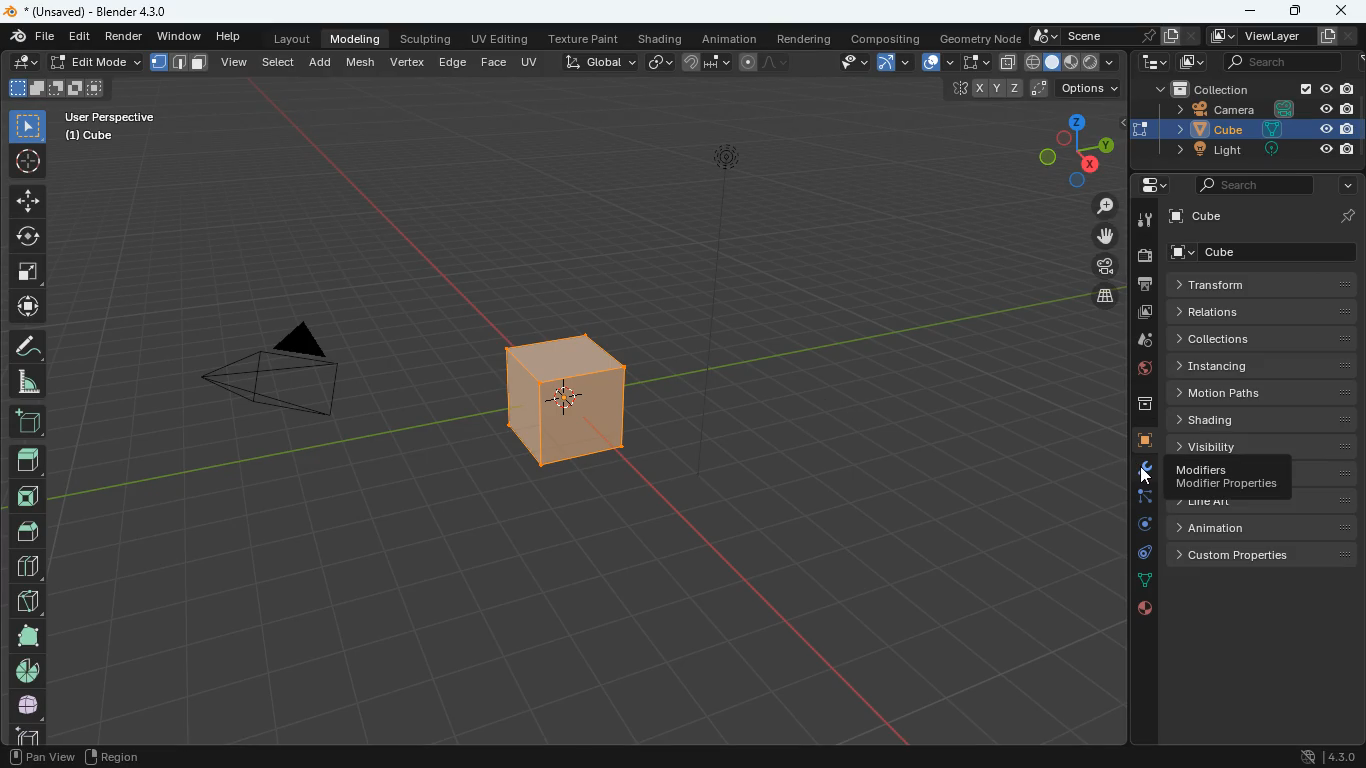 The width and height of the screenshot is (1366, 768). What do you see at coordinates (1136, 342) in the screenshot?
I see `drop` at bounding box center [1136, 342].